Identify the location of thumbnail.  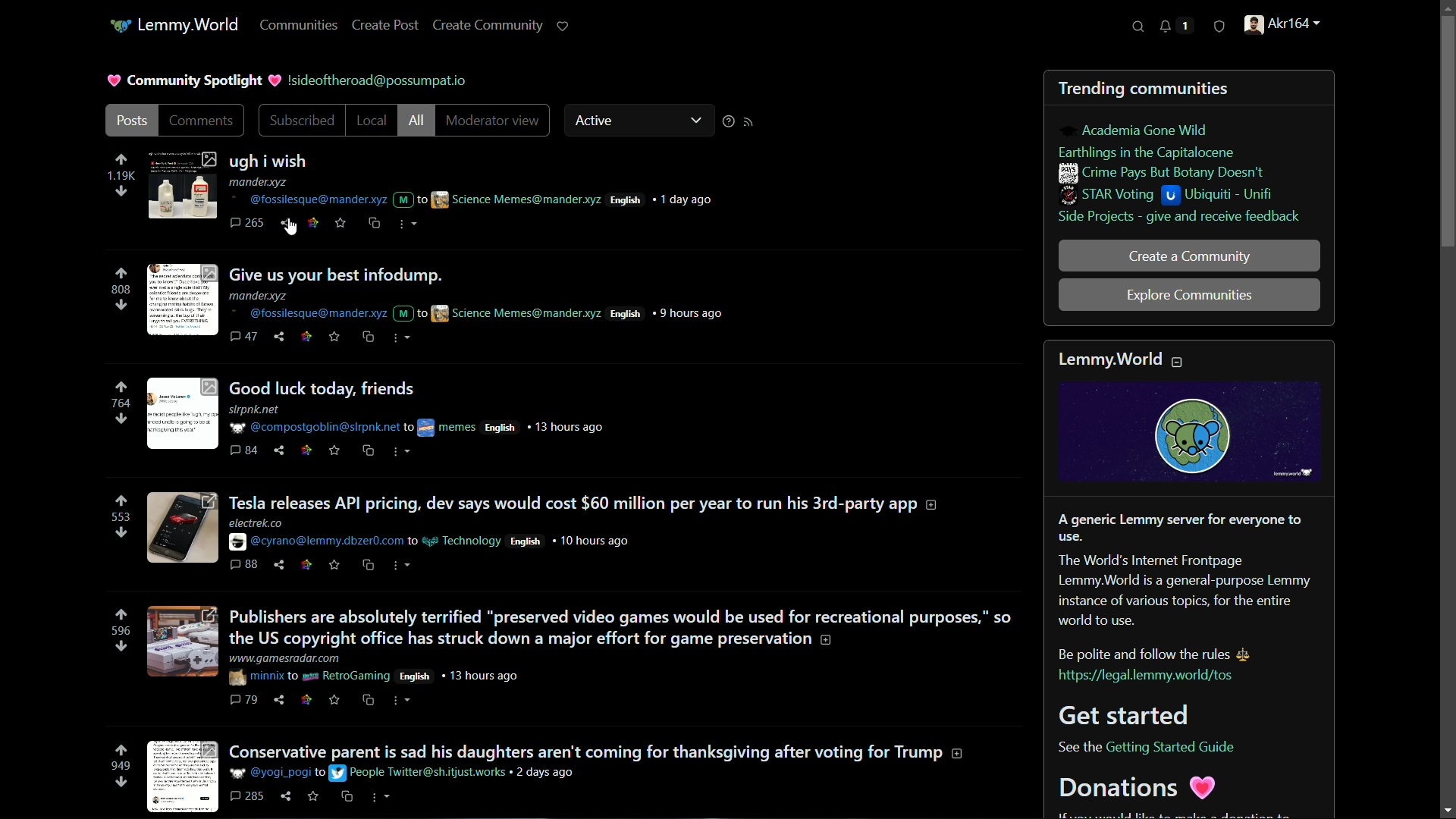
(181, 185).